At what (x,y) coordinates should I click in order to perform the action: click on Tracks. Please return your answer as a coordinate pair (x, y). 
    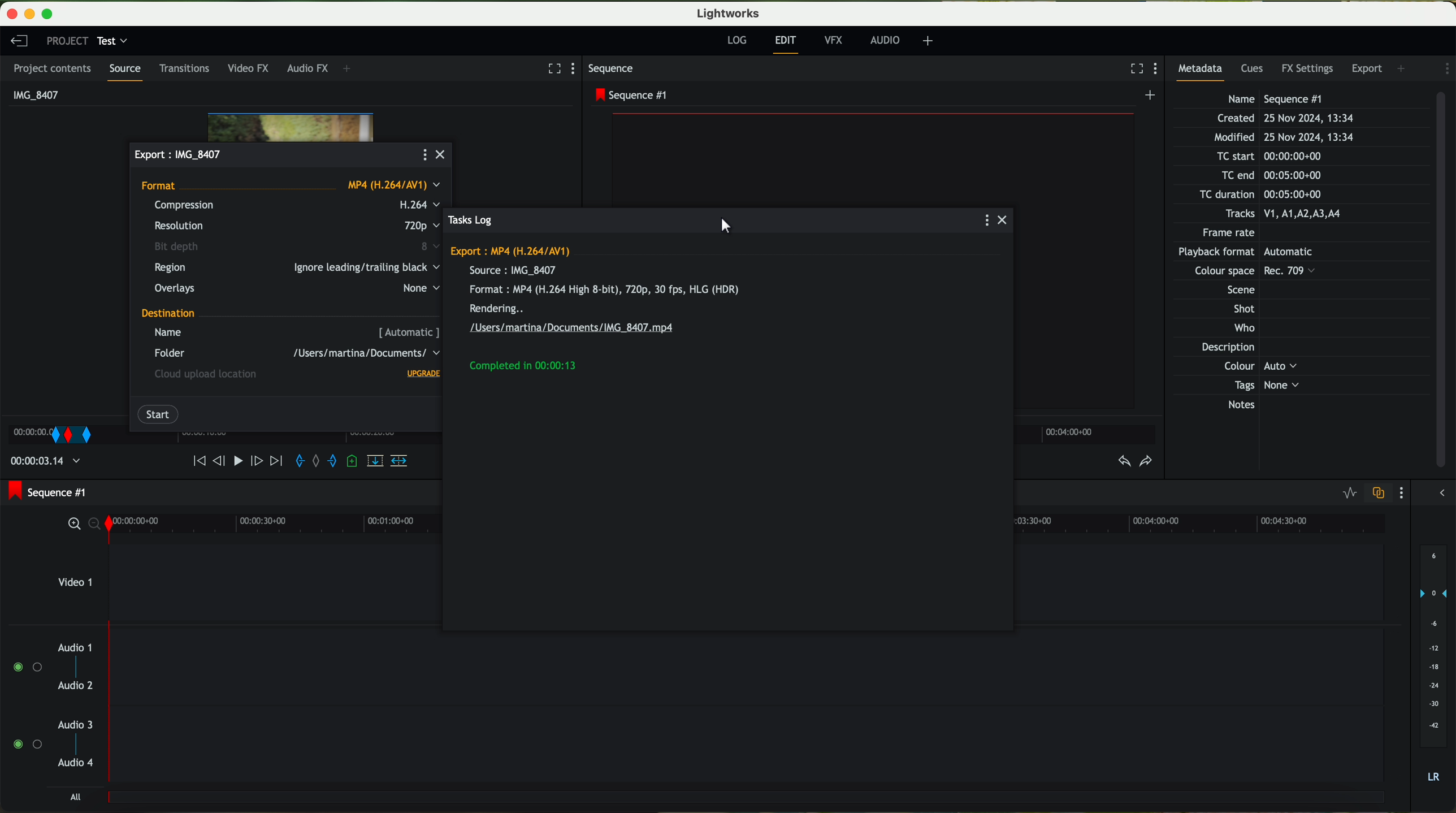
    Looking at the image, I should click on (1281, 214).